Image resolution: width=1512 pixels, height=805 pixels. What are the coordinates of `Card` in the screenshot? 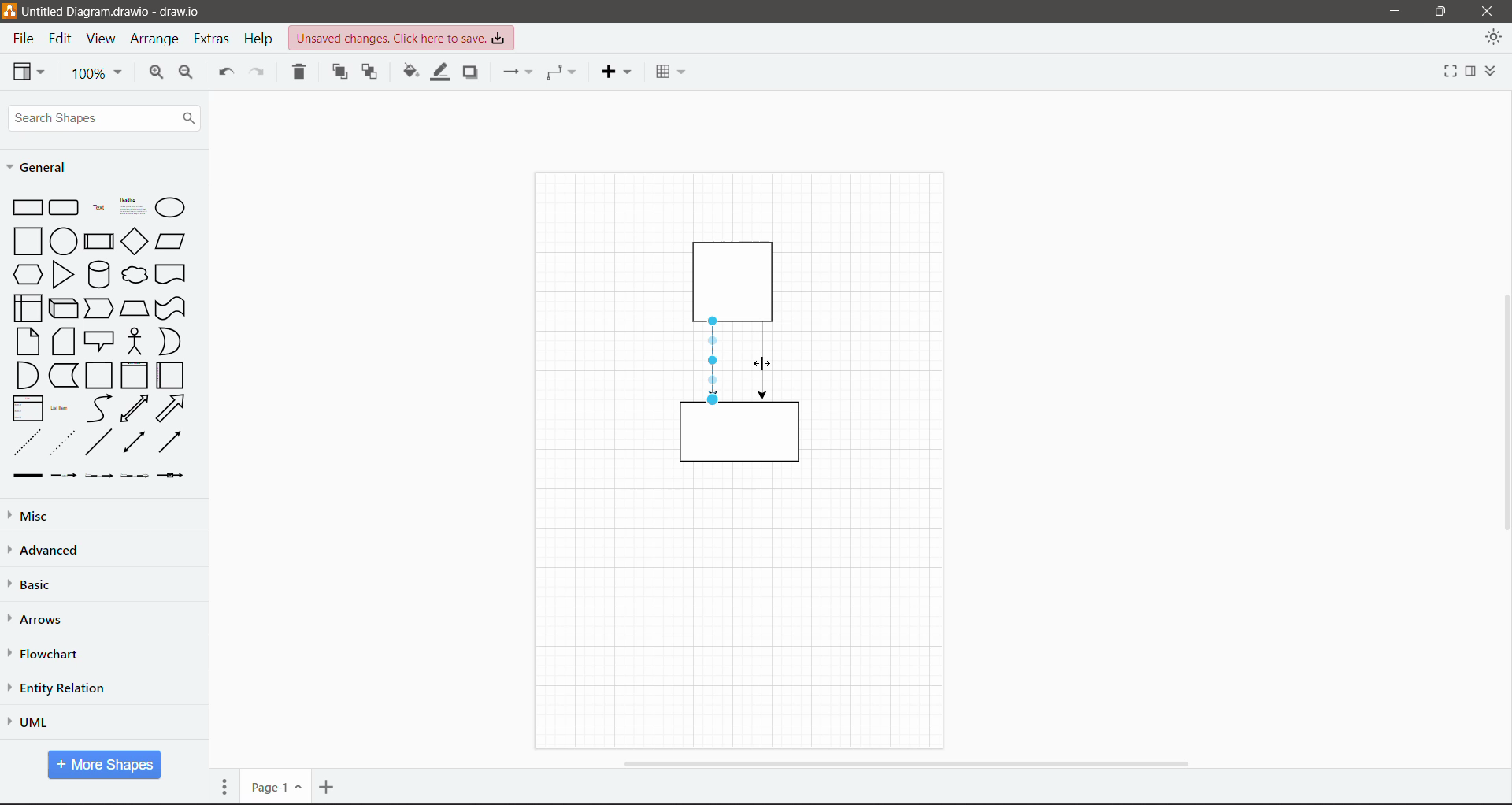 It's located at (63, 341).